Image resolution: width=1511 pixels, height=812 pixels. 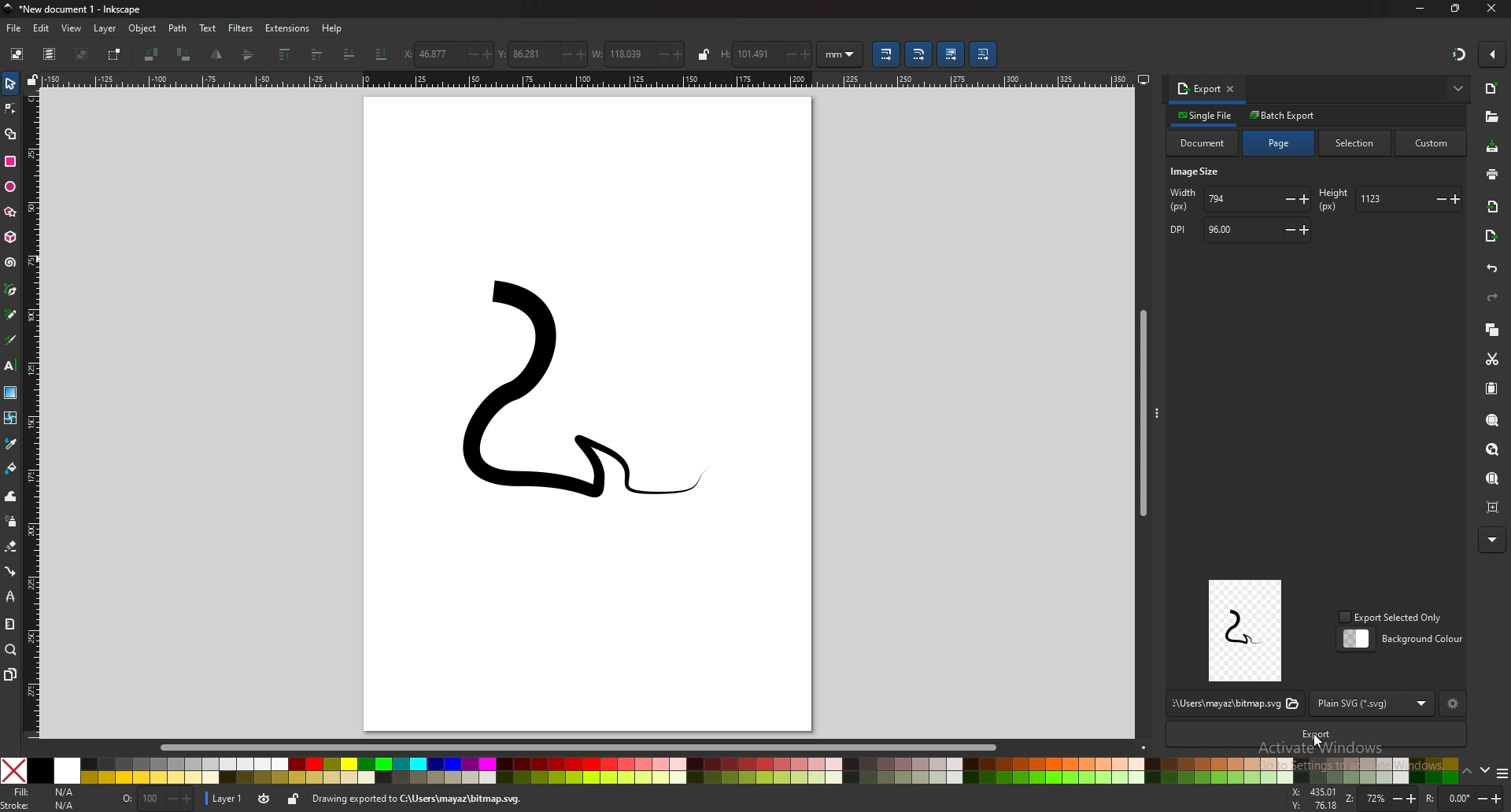 I want to click on rotation, so click(x=1463, y=799).